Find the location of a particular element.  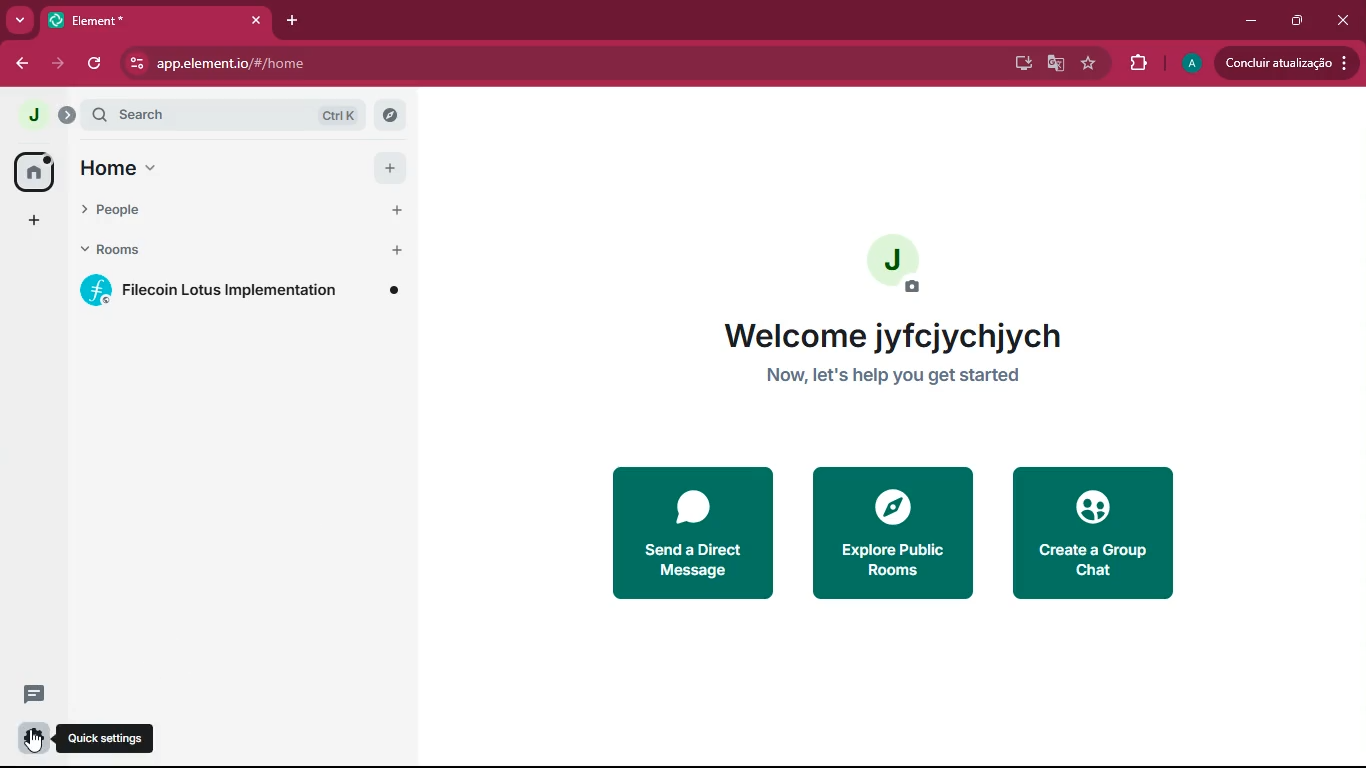

forward is located at coordinates (60, 63).